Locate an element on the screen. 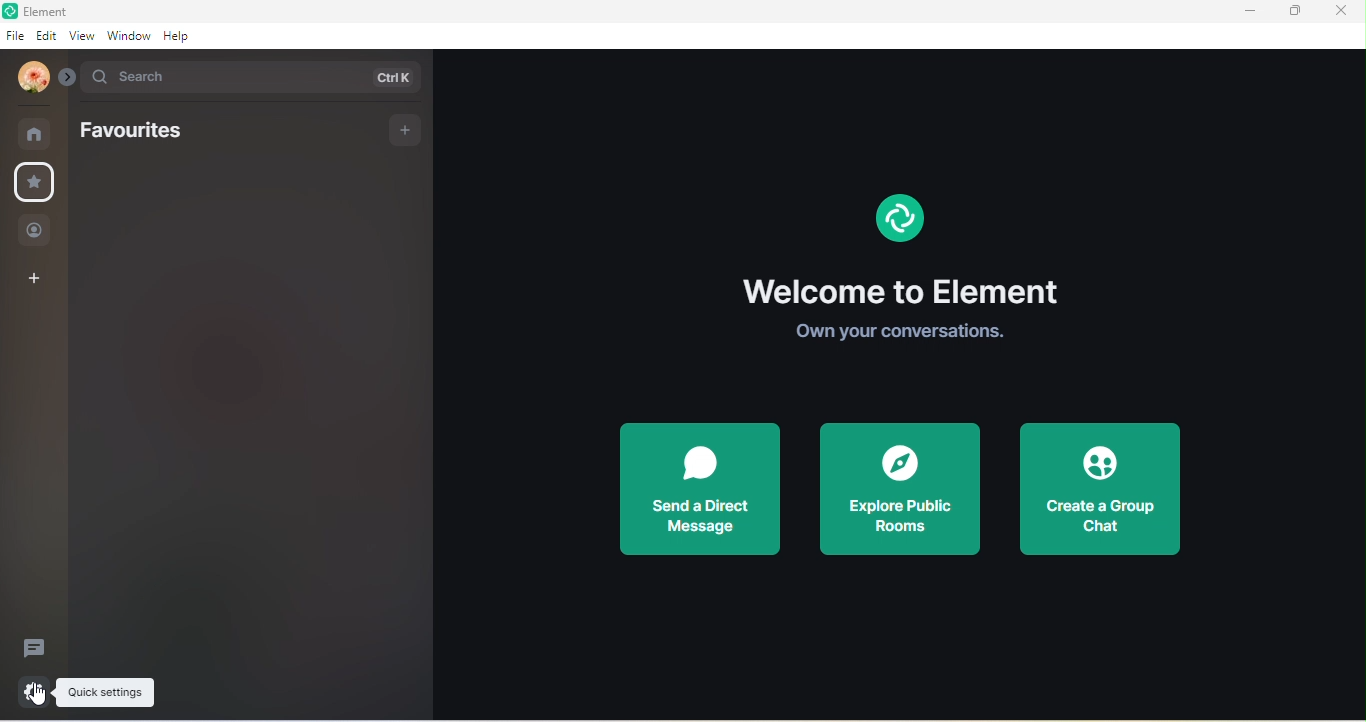 Image resolution: width=1366 pixels, height=722 pixels. expand is located at coordinates (67, 78).